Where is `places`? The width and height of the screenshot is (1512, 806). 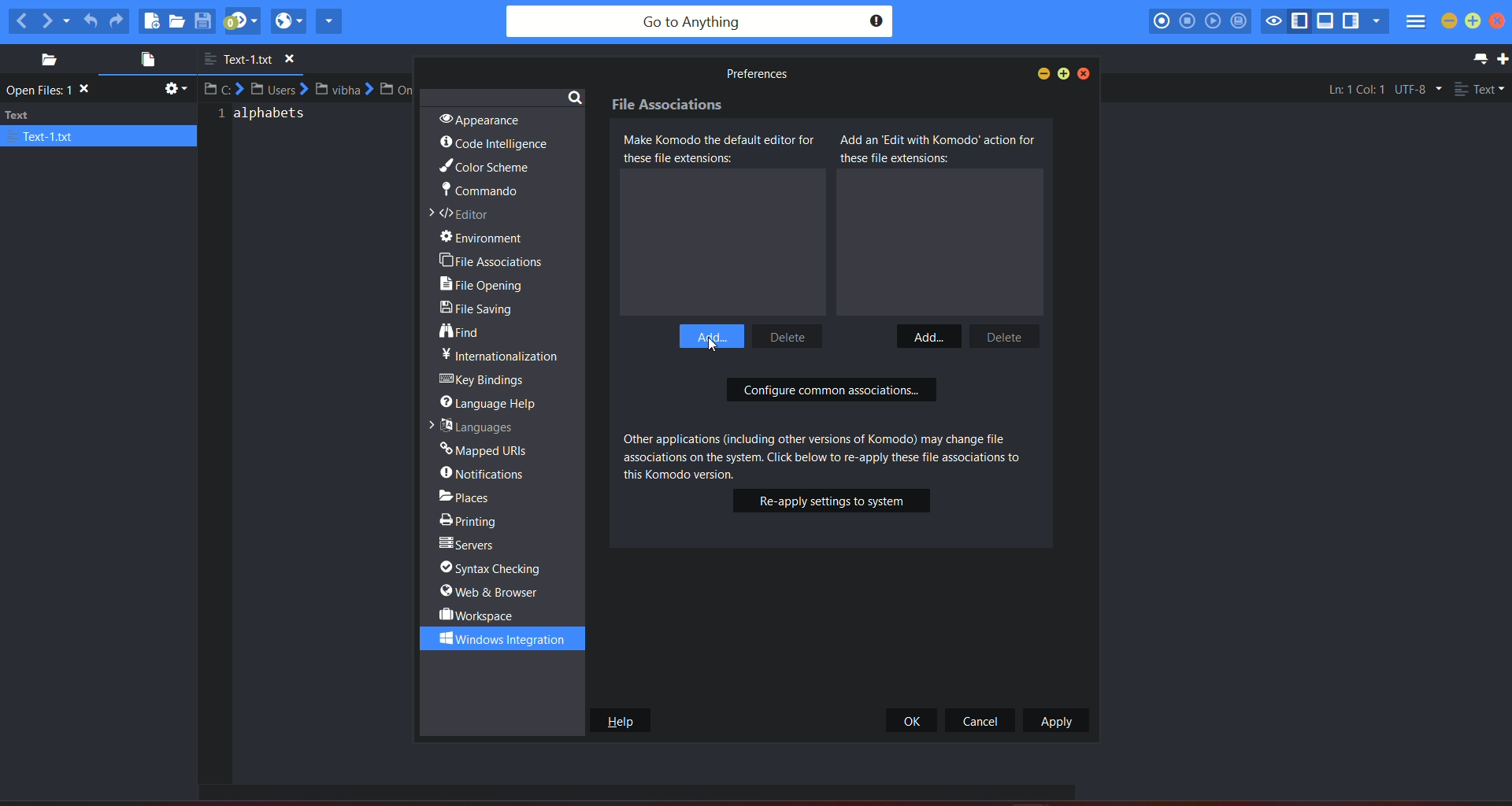 places is located at coordinates (478, 495).